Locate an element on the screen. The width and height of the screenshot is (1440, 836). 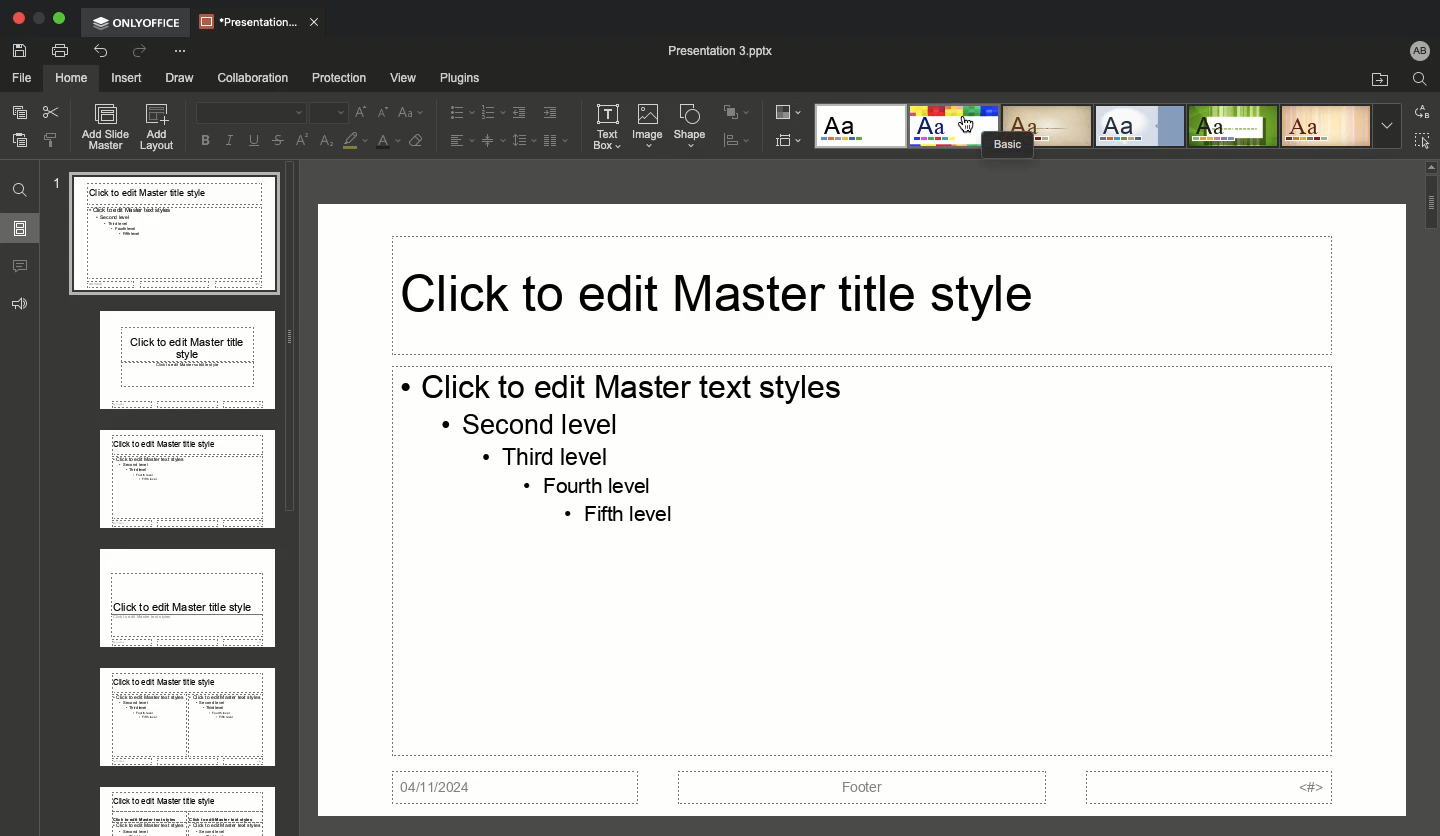
OnlyOffice is located at coordinates (139, 22).